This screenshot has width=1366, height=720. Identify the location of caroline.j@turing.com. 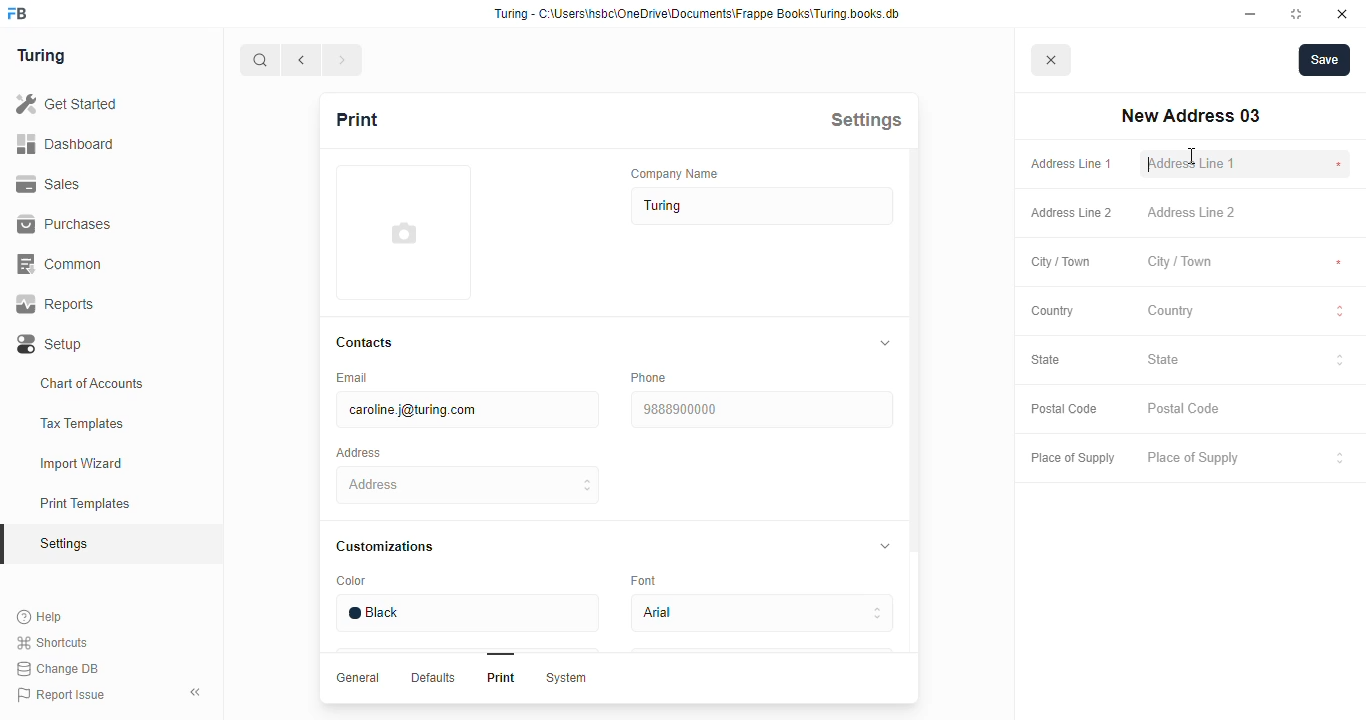
(466, 410).